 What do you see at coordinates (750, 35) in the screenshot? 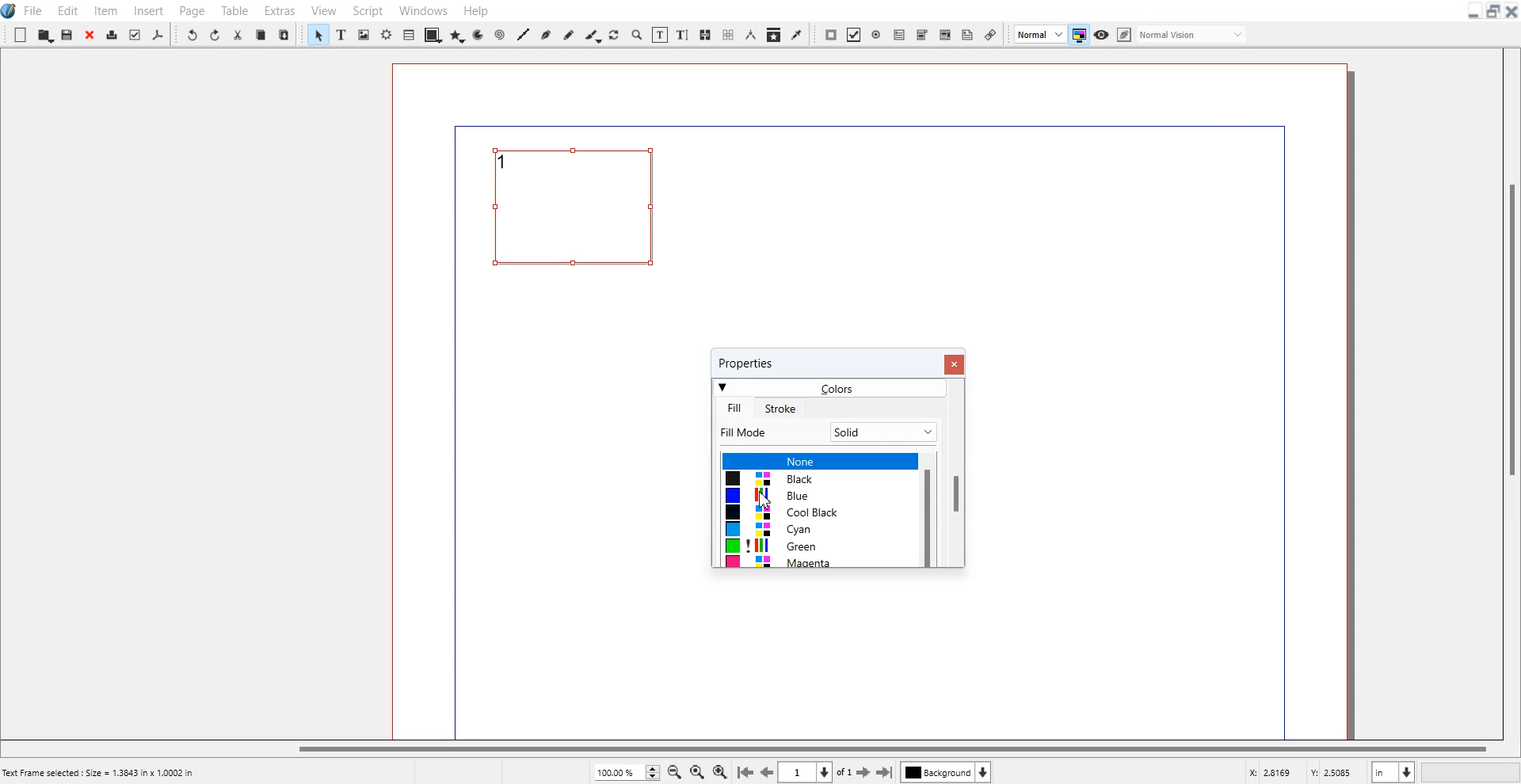
I see `Measurement` at bounding box center [750, 35].